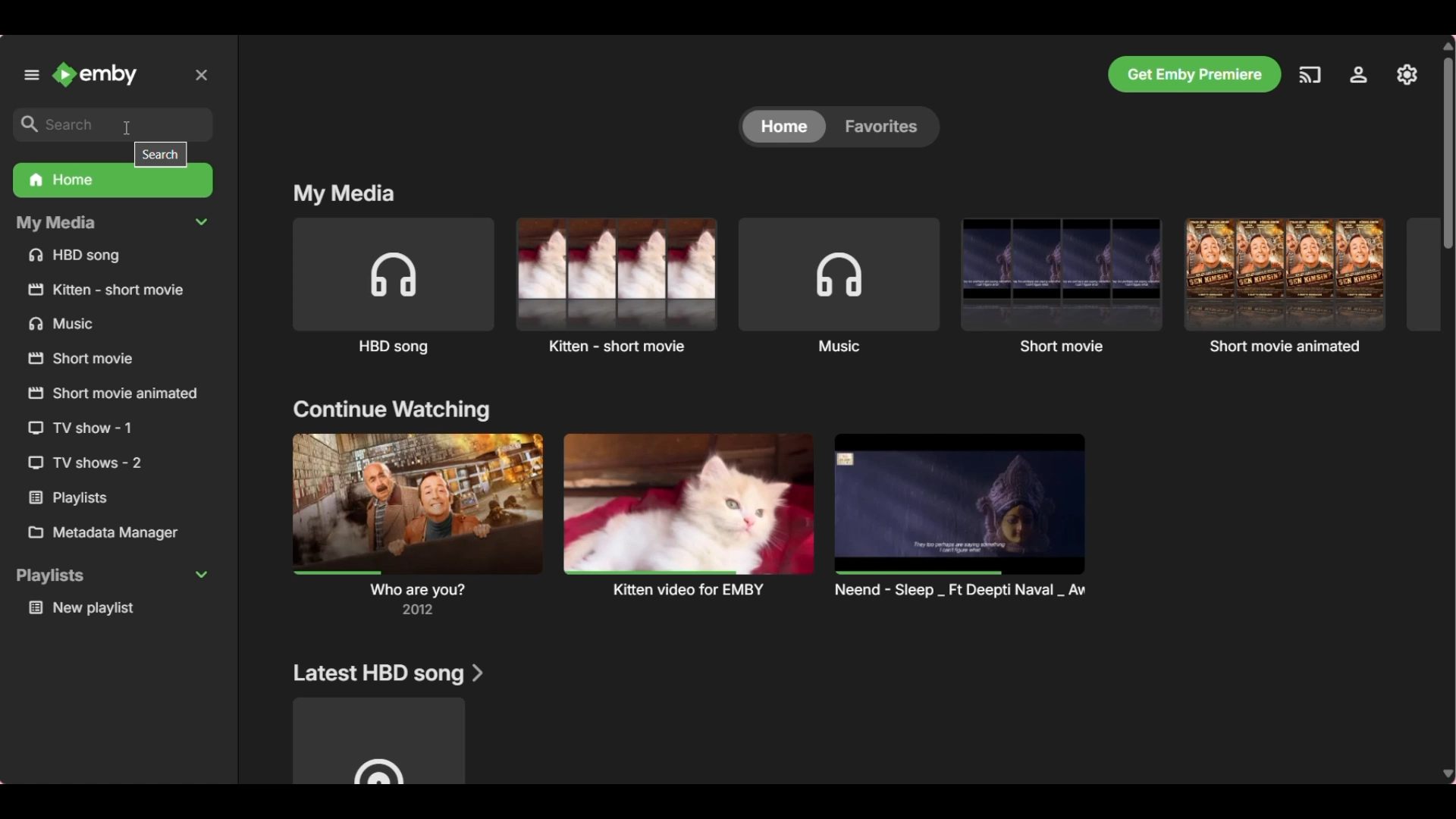  Describe the element at coordinates (112, 288) in the screenshot. I see `` at that location.